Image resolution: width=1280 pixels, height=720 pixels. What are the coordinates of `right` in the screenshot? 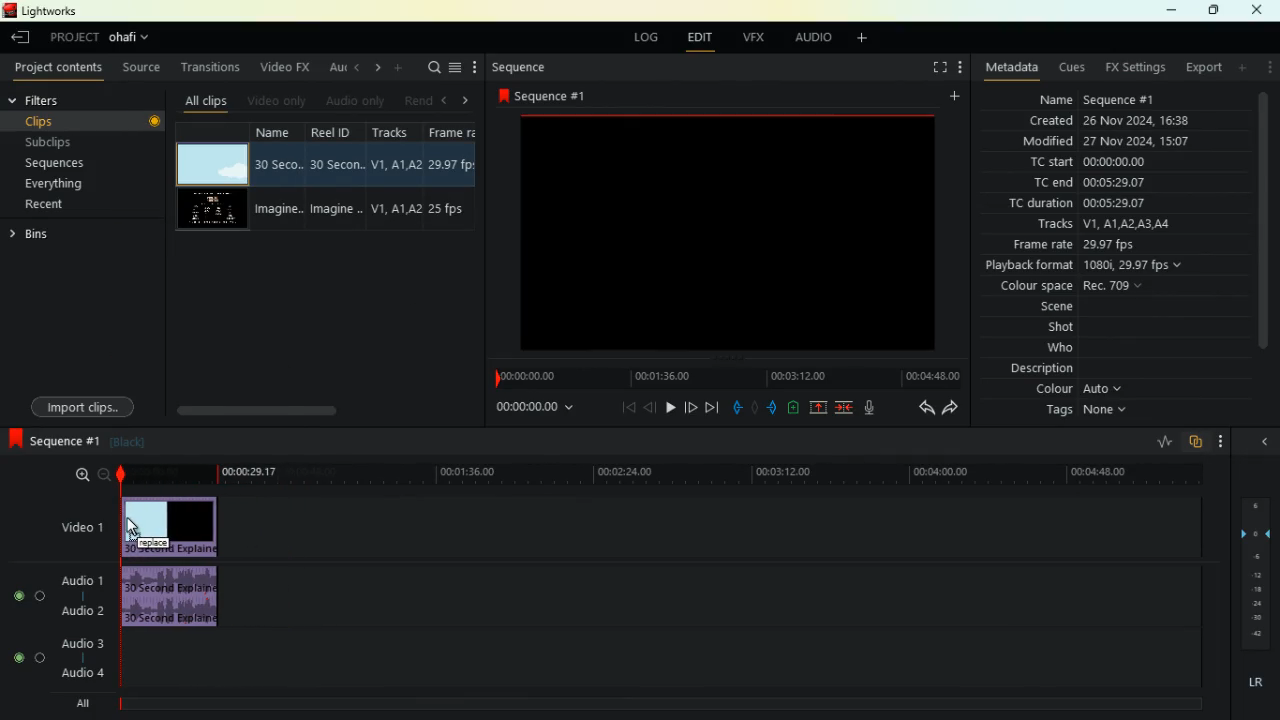 It's located at (468, 102).